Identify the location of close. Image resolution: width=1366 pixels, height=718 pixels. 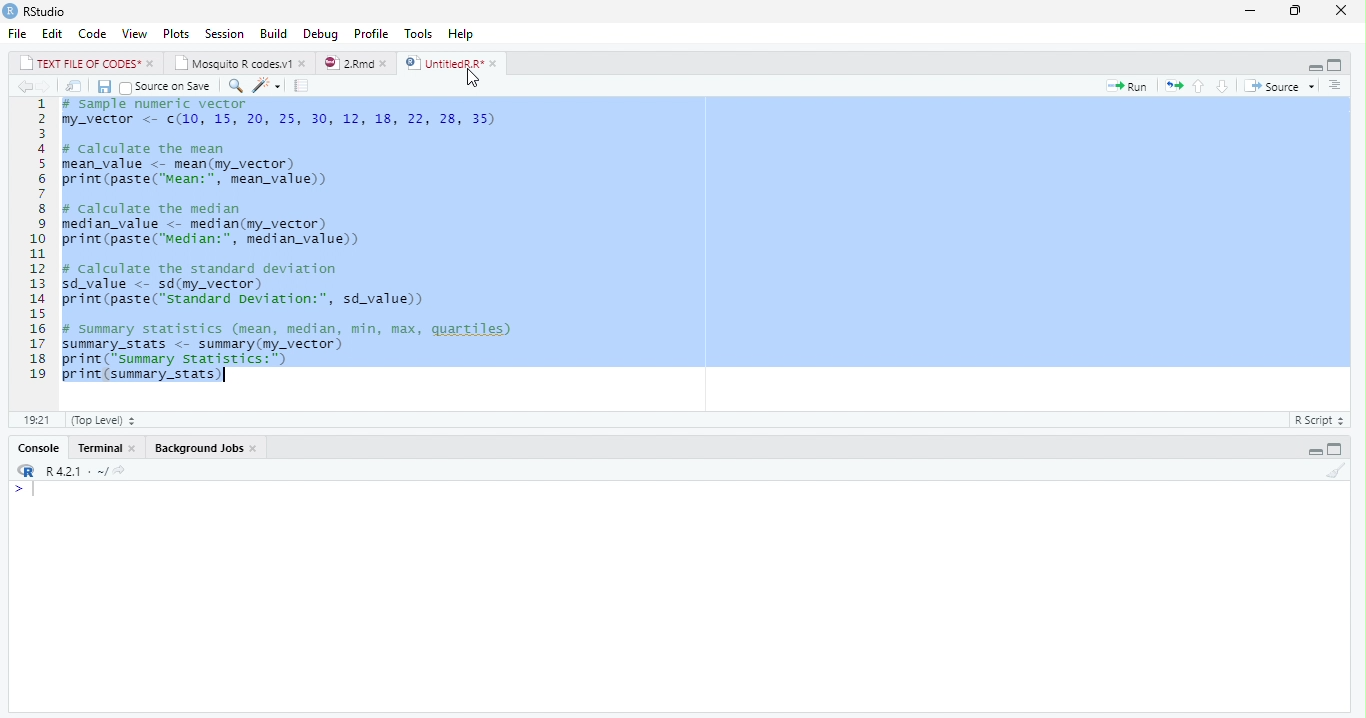
(304, 64).